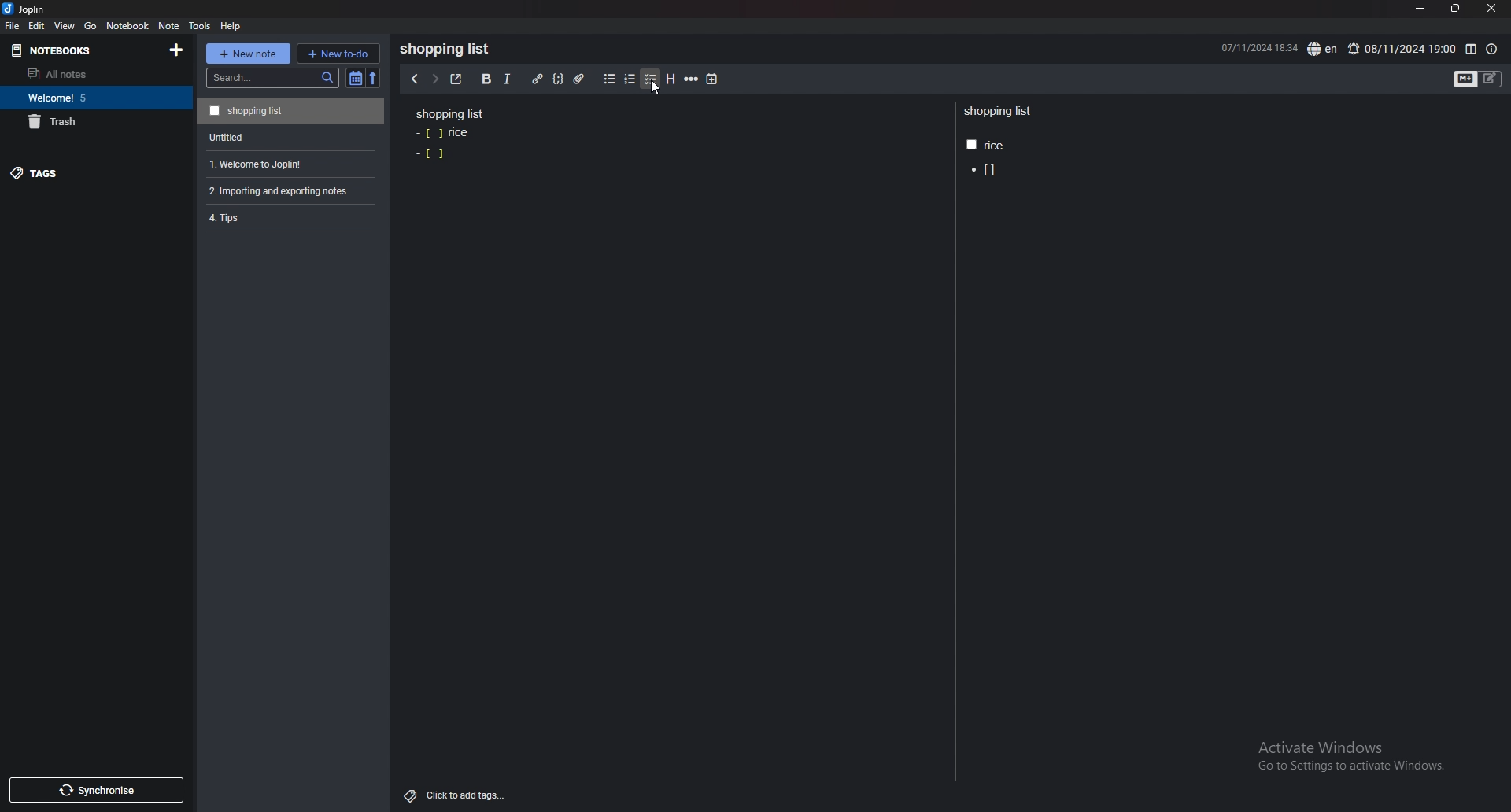 This screenshot has height=812, width=1511. What do you see at coordinates (289, 189) in the screenshot?
I see `2. Importing and exporting notes.` at bounding box center [289, 189].